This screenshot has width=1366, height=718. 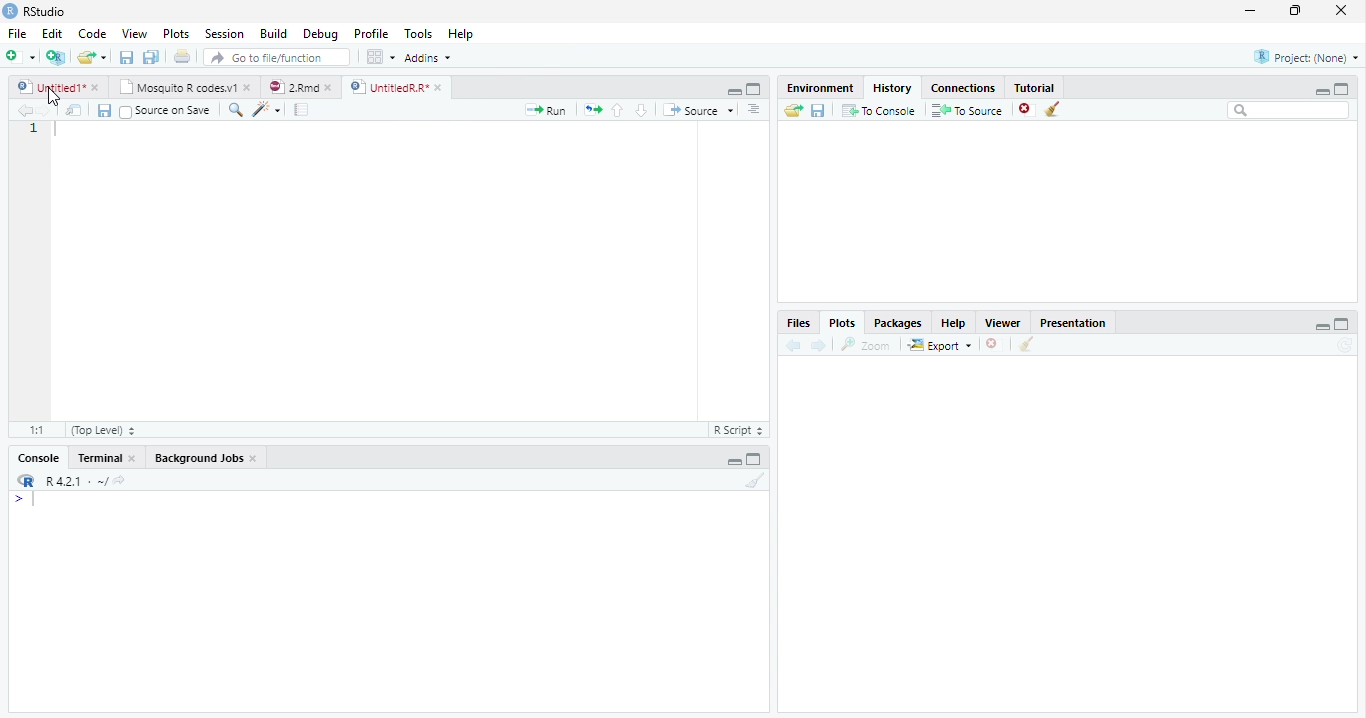 What do you see at coordinates (300, 87) in the screenshot?
I see `2.RMD` at bounding box center [300, 87].